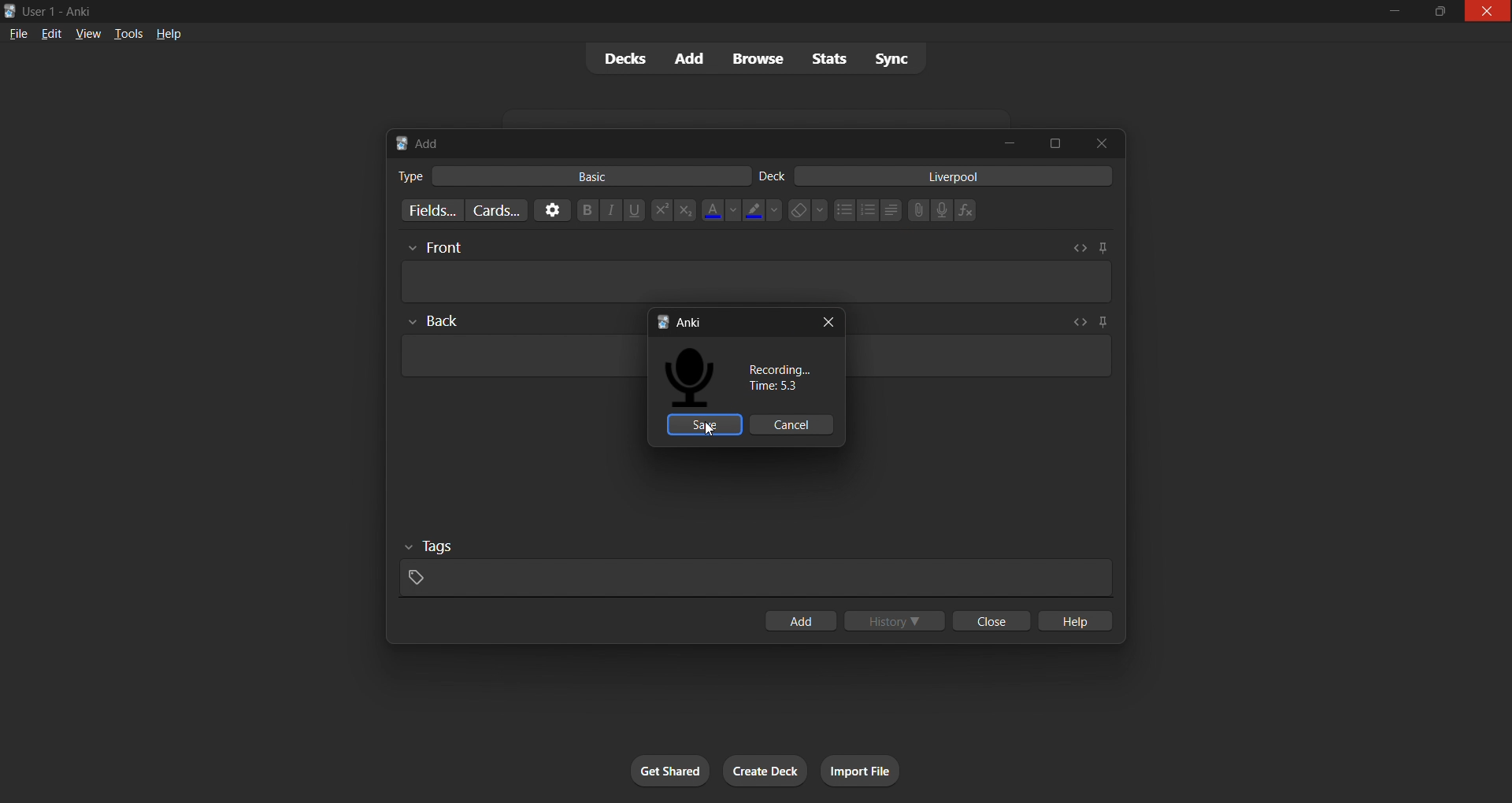  What do you see at coordinates (15, 35) in the screenshot?
I see `file` at bounding box center [15, 35].